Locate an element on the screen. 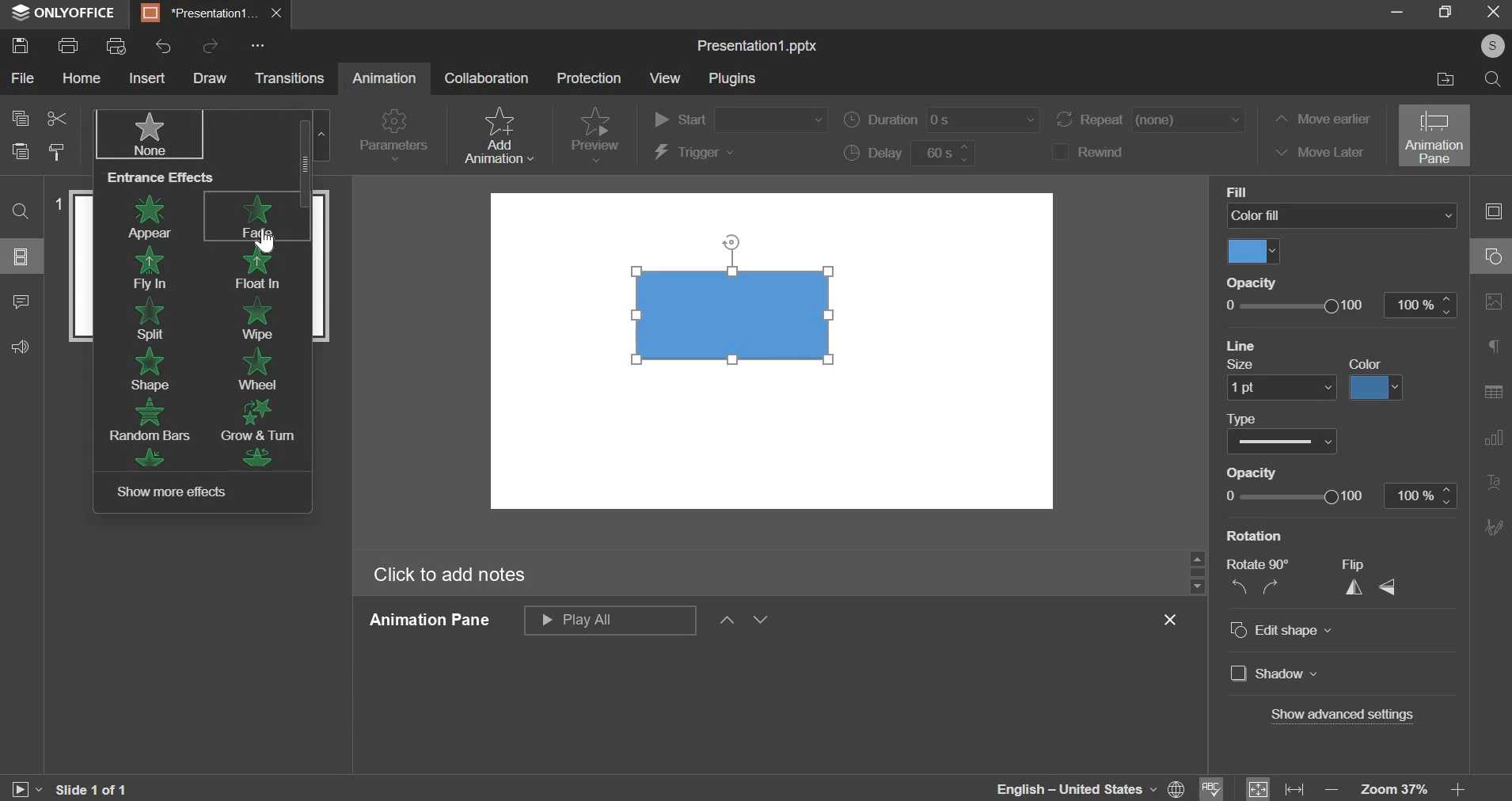  minimize is located at coordinates (1393, 13).